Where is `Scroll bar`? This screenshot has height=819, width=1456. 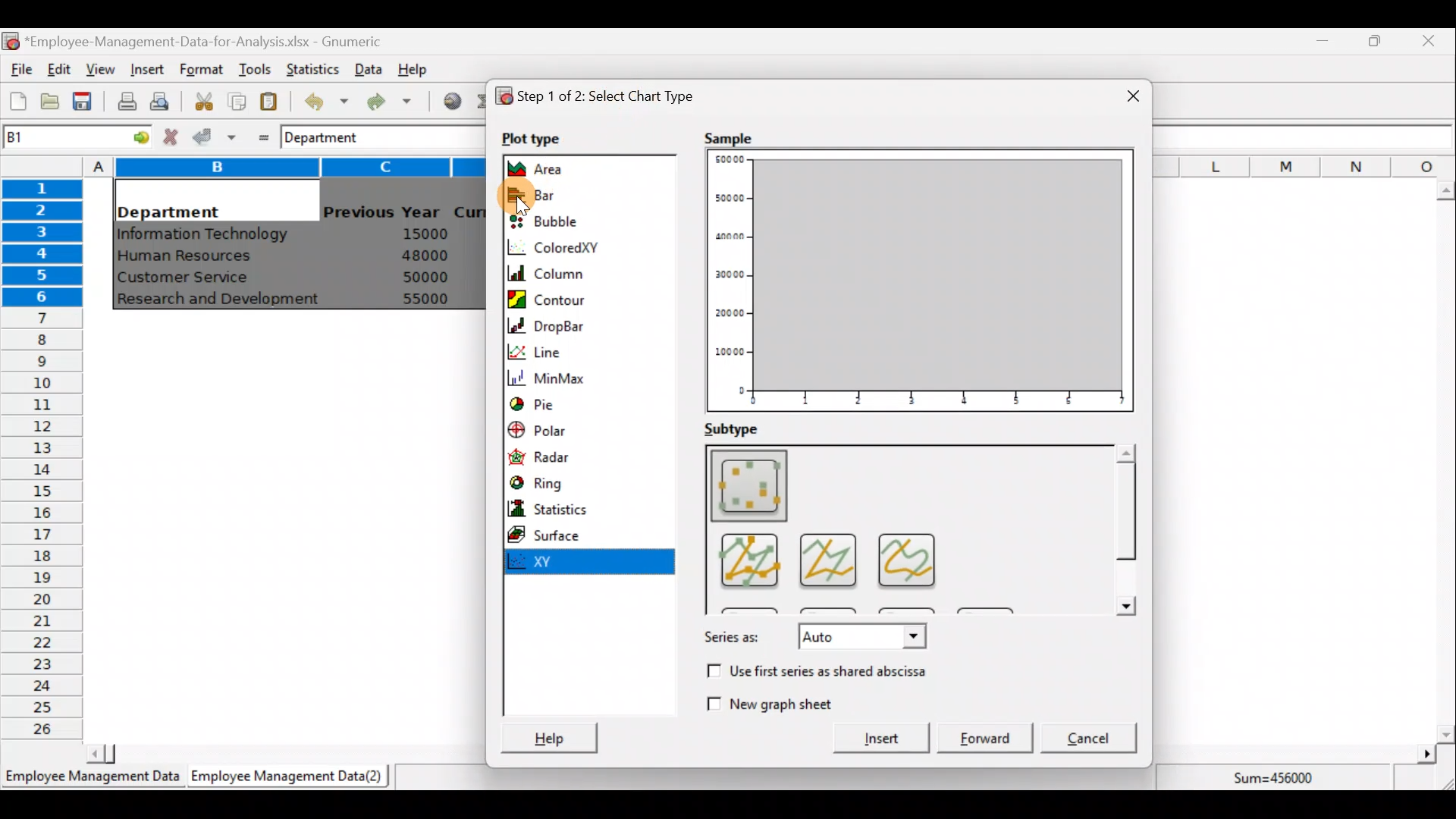
Scroll bar is located at coordinates (1130, 533).